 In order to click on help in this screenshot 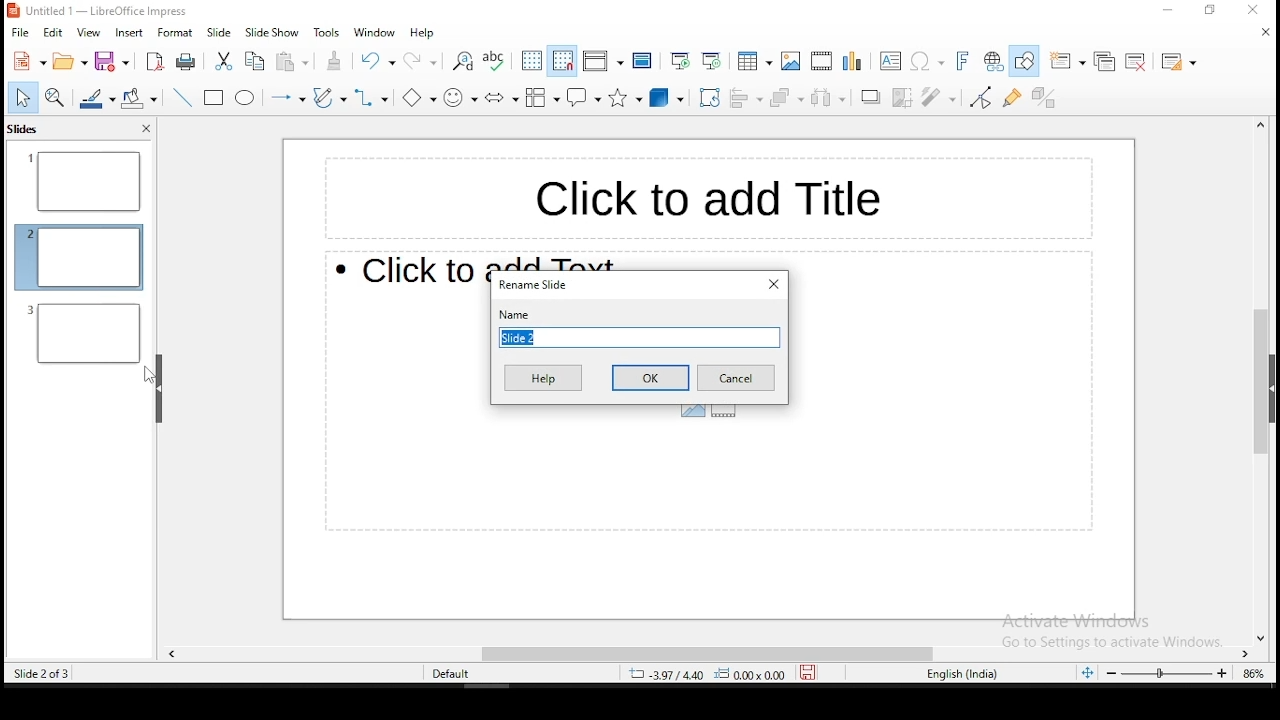, I will do `click(541, 378)`.